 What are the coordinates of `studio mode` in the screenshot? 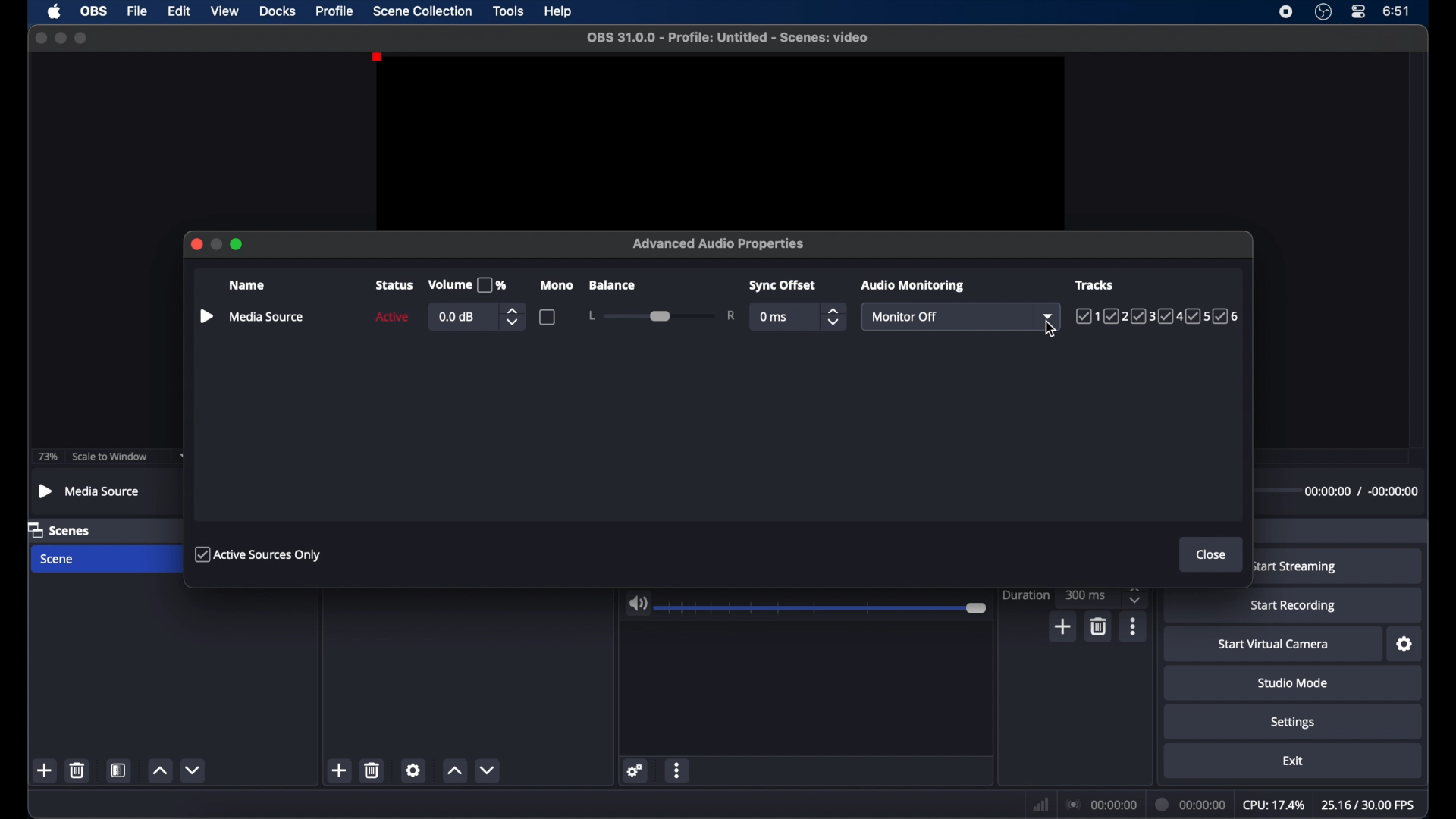 It's located at (1291, 682).